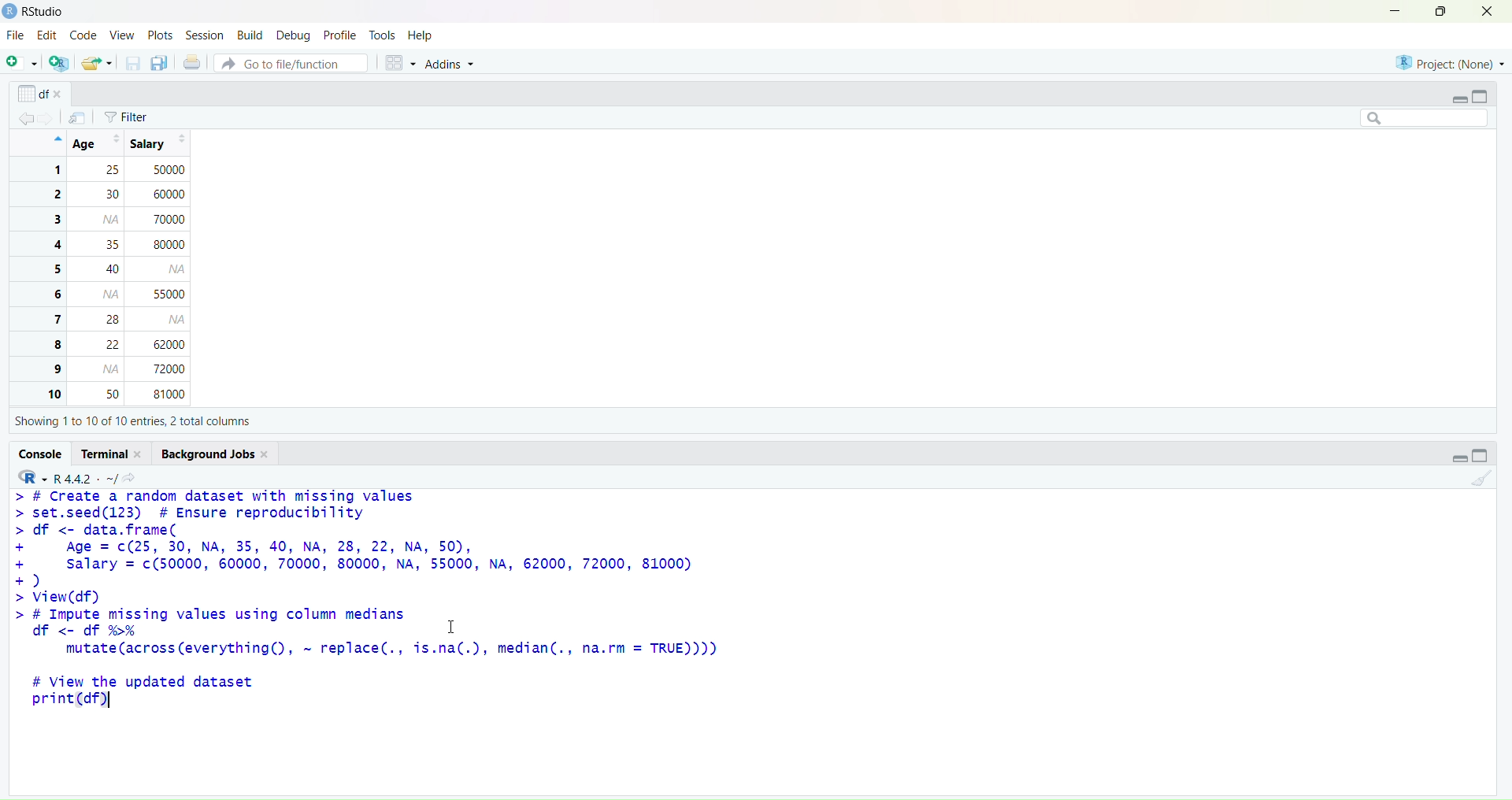 Image resolution: width=1512 pixels, height=800 pixels. Describe the element at coordinates (121, 35) in the screenshot. I see `view` at that location.